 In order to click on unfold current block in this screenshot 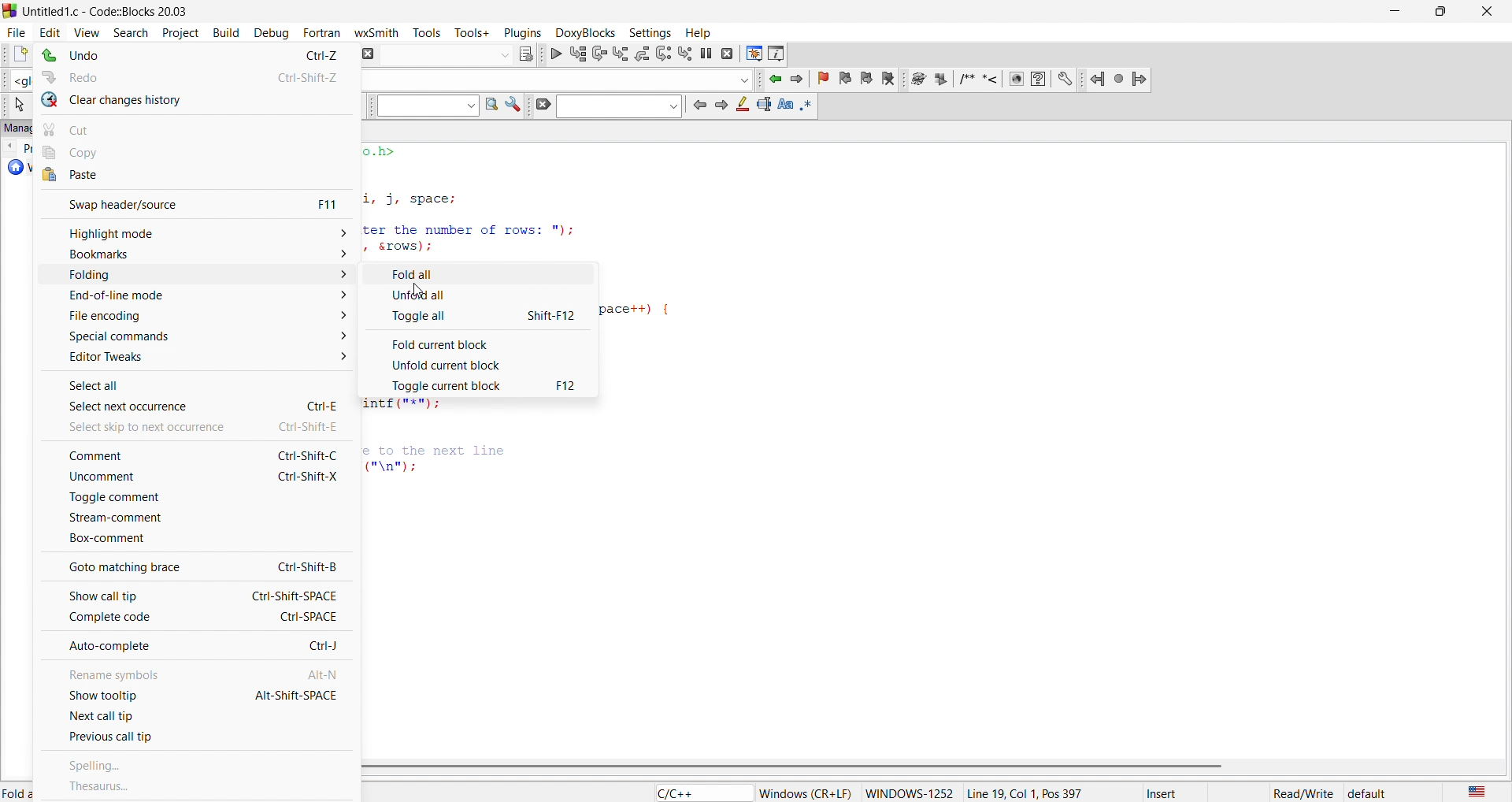, I will do `click(480, 364)`.